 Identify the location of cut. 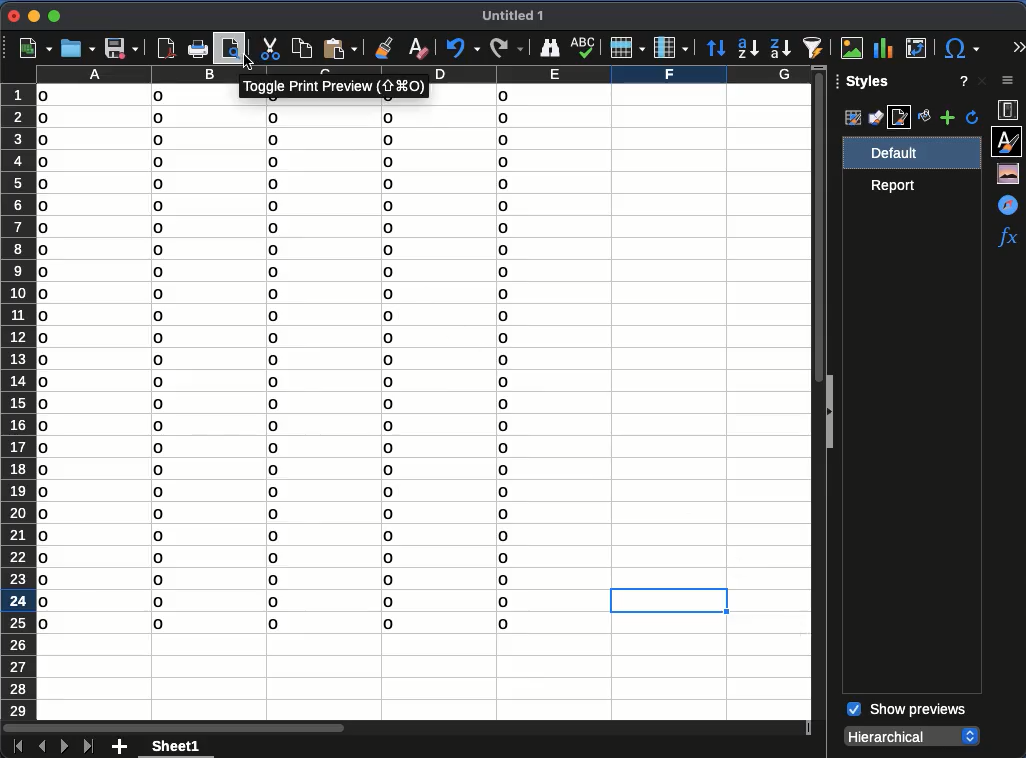
(269, 49).